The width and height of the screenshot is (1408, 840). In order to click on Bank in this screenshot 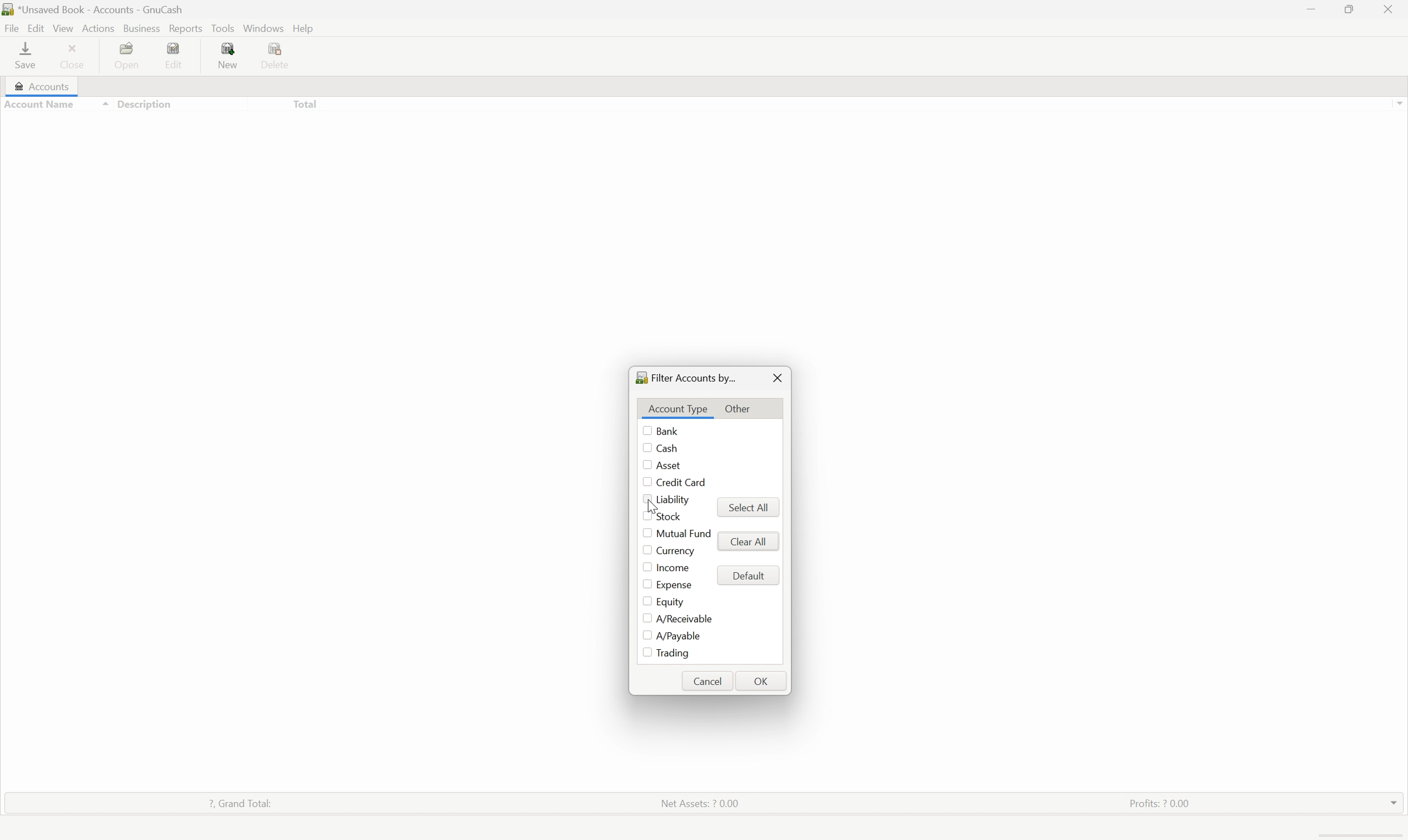, I will do `click(668, 431)`.